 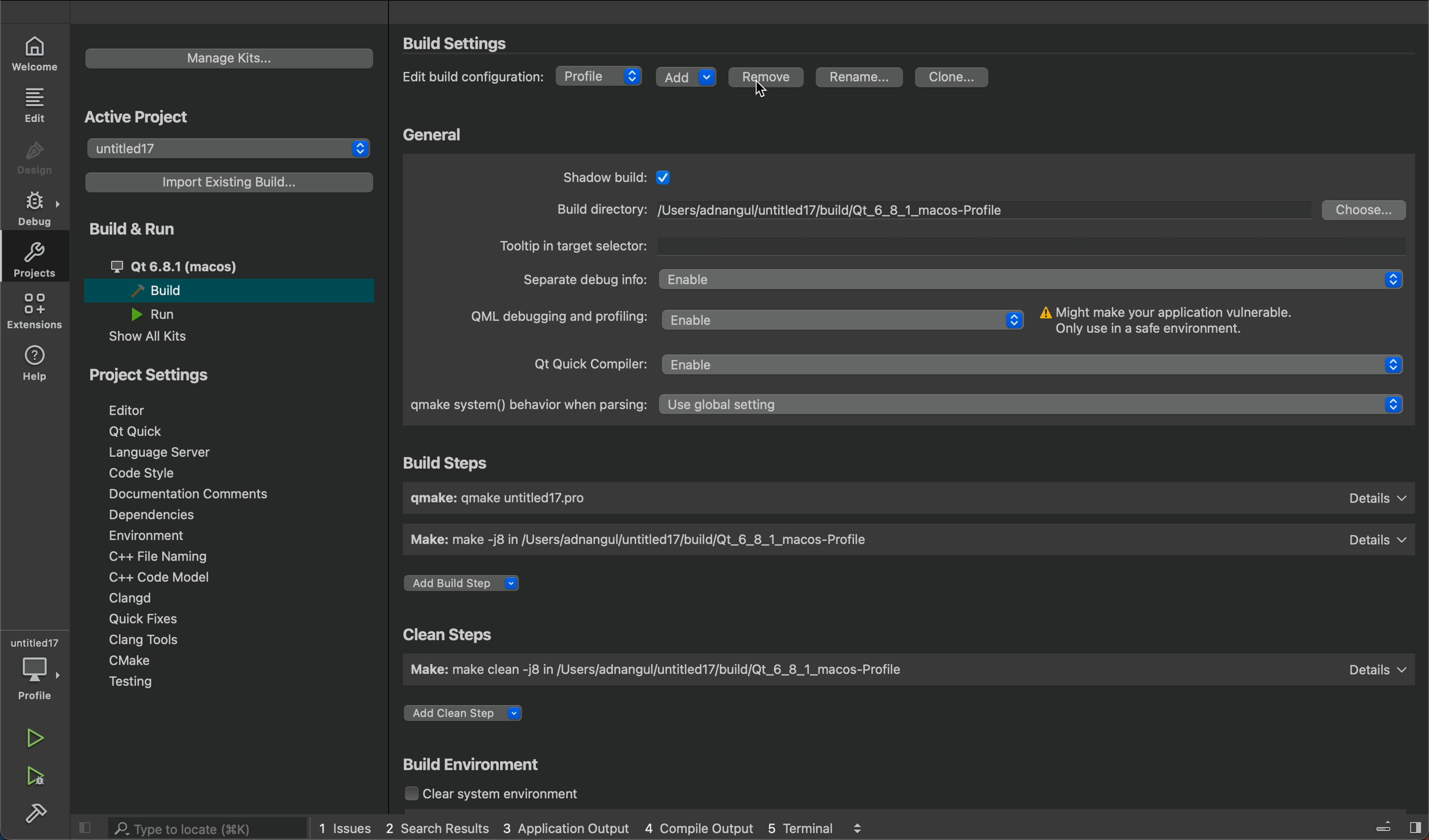 I want to click on details, so click(x=1383, y=672).